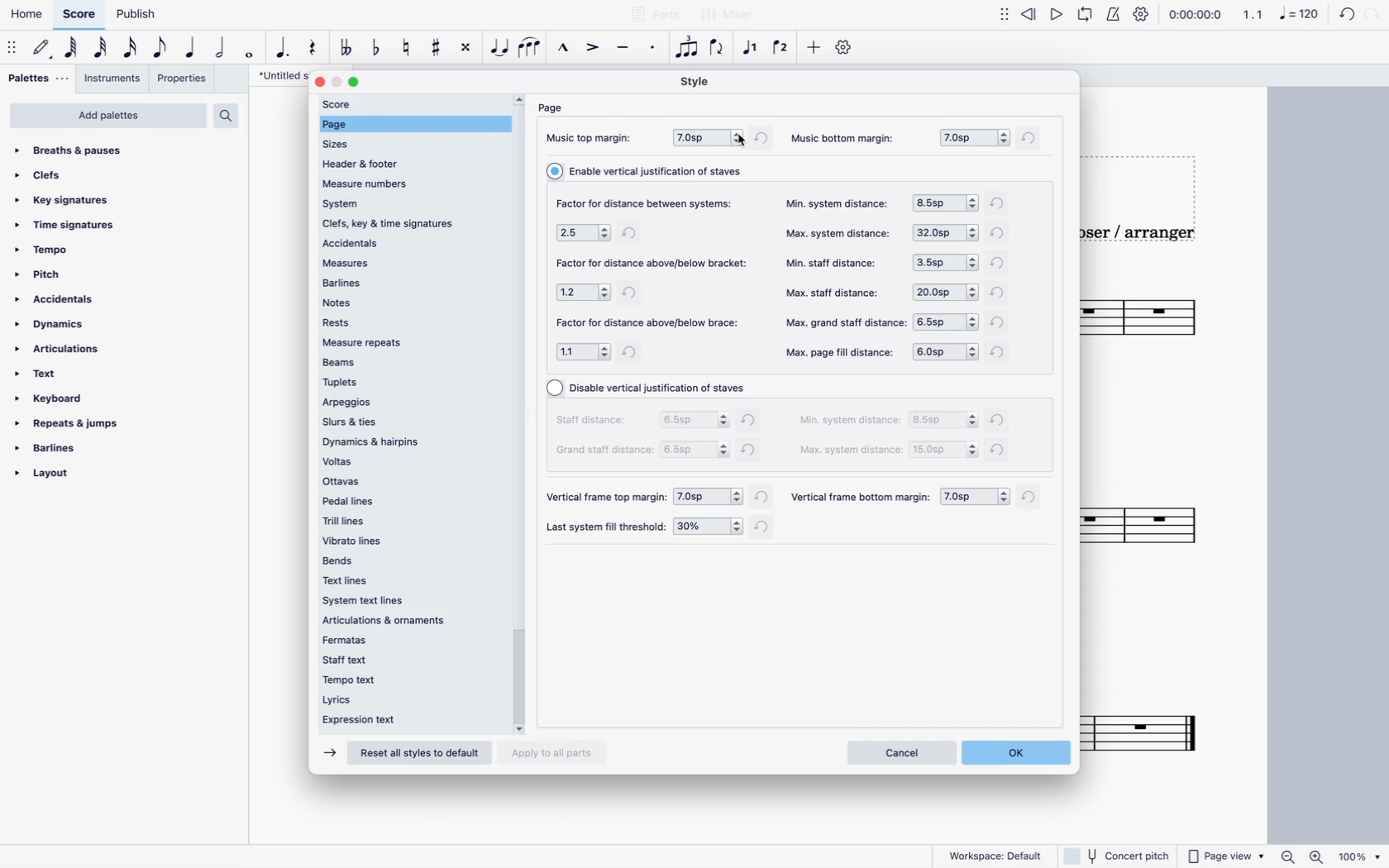  What do you see at coordinates (1253, 15) in the screenshot?
I see `1.1` at bounding box center [1253, 15].